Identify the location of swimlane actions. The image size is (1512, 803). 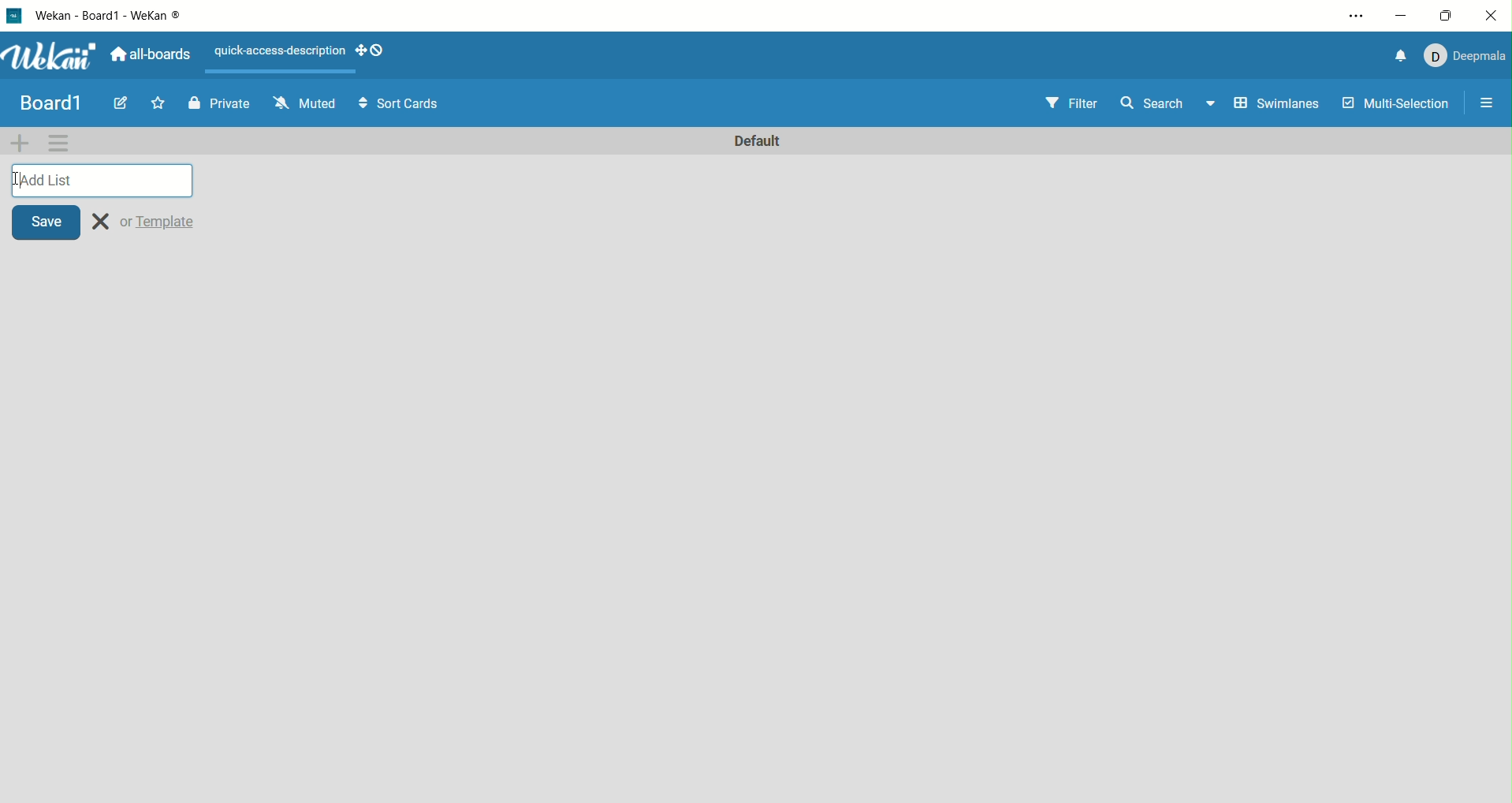
(59, 144).